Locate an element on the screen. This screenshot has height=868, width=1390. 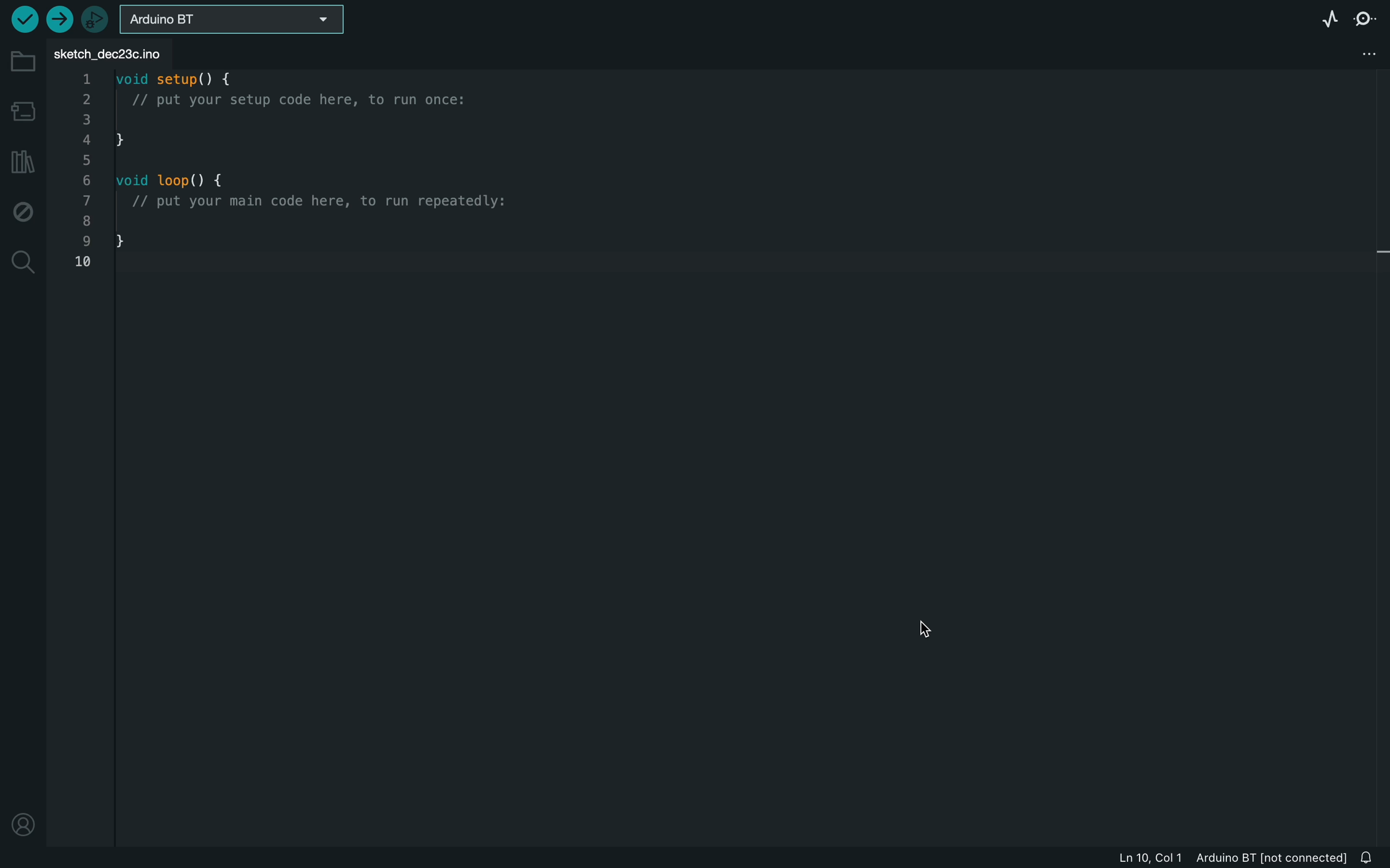
cursor is located at coordinates (925, 629).